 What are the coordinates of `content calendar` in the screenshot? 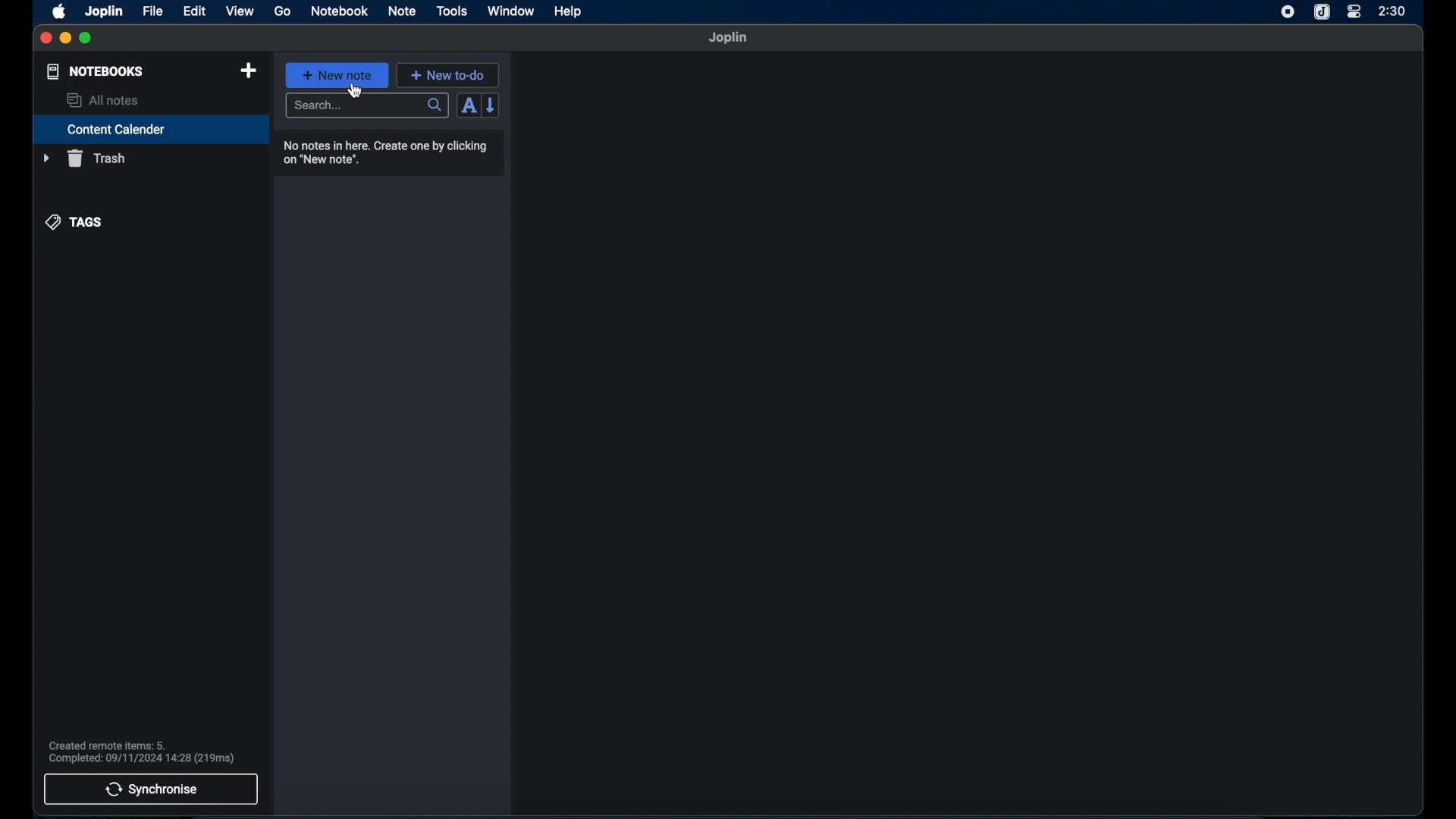 It's located at (151, 129).